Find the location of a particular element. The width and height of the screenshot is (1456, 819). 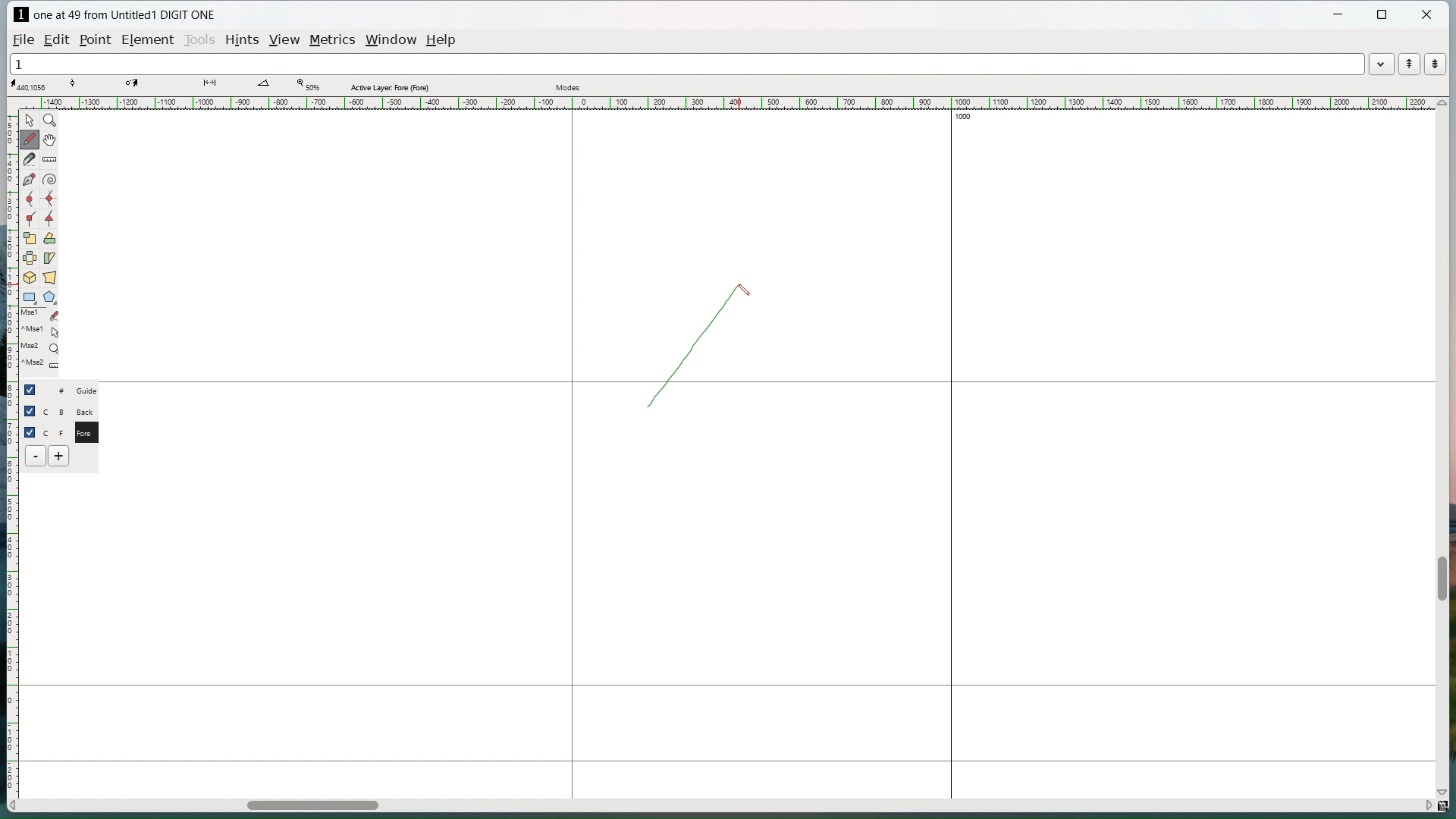

C B Back is located at coordinates (71, 409).